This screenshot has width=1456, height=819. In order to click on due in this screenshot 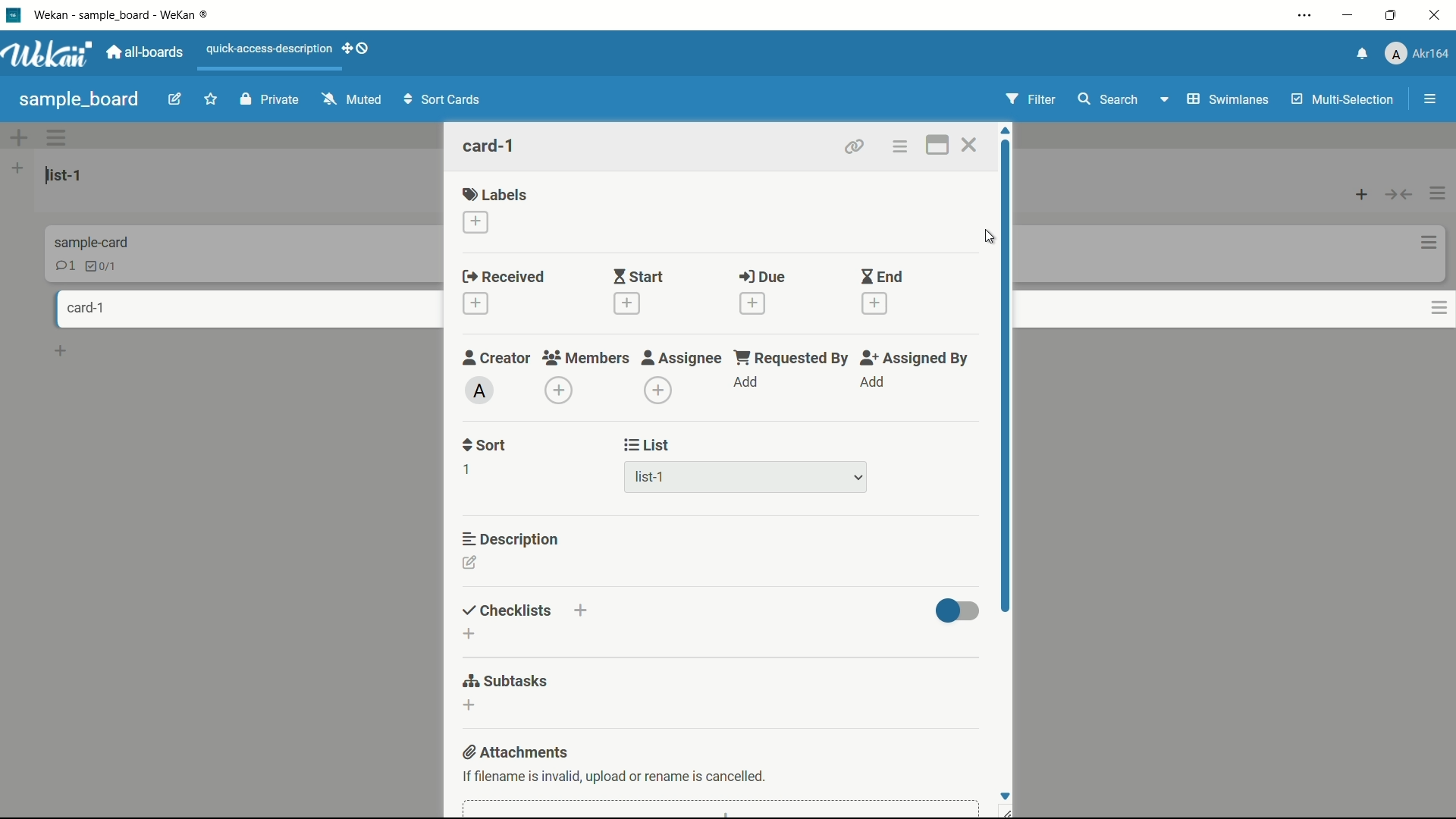, I will do `click(761, 279)`.